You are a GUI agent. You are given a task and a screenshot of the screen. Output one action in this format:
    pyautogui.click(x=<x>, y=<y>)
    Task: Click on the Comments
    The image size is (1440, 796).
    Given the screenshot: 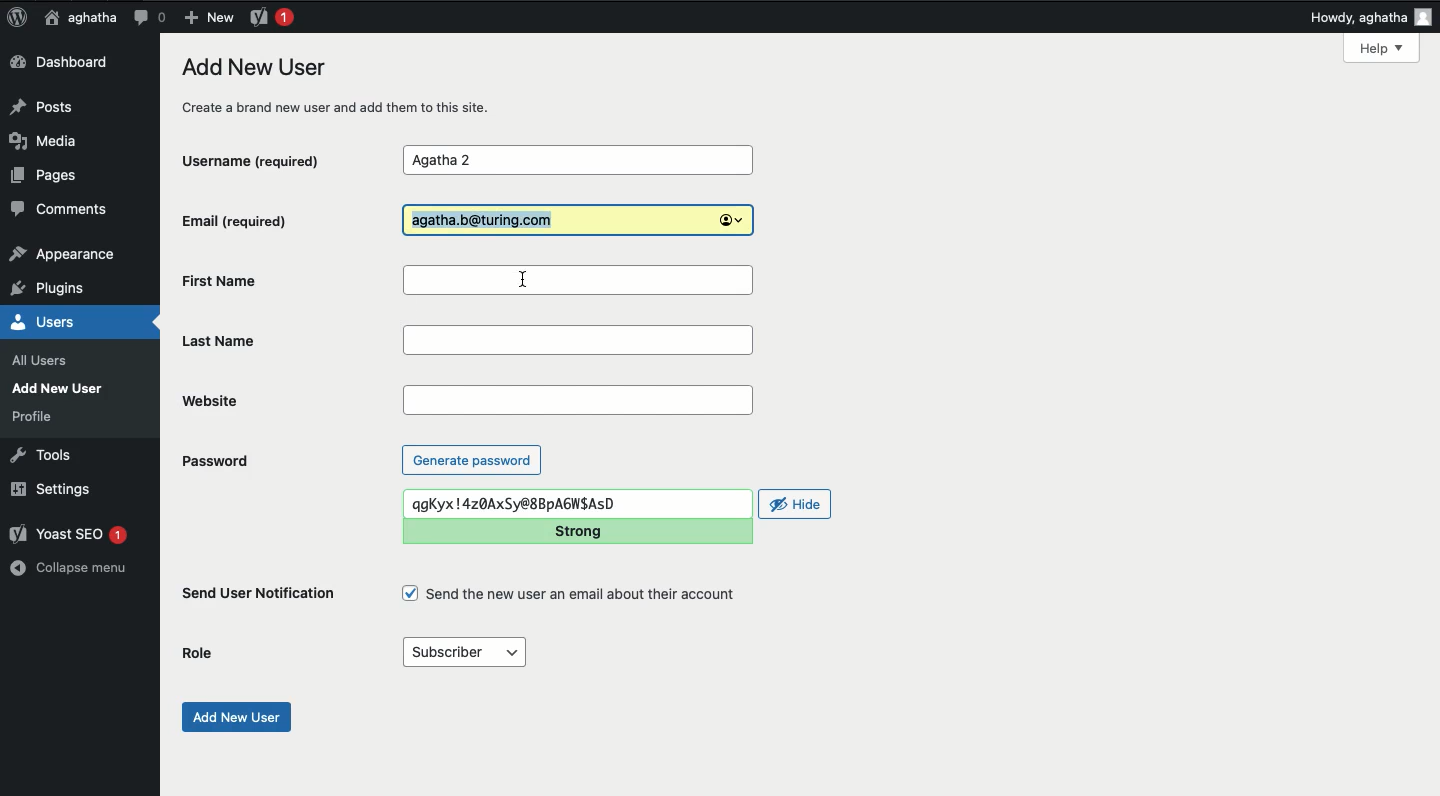 What is the action you would take?
    pyautogui.click(x=61, y=212)
    